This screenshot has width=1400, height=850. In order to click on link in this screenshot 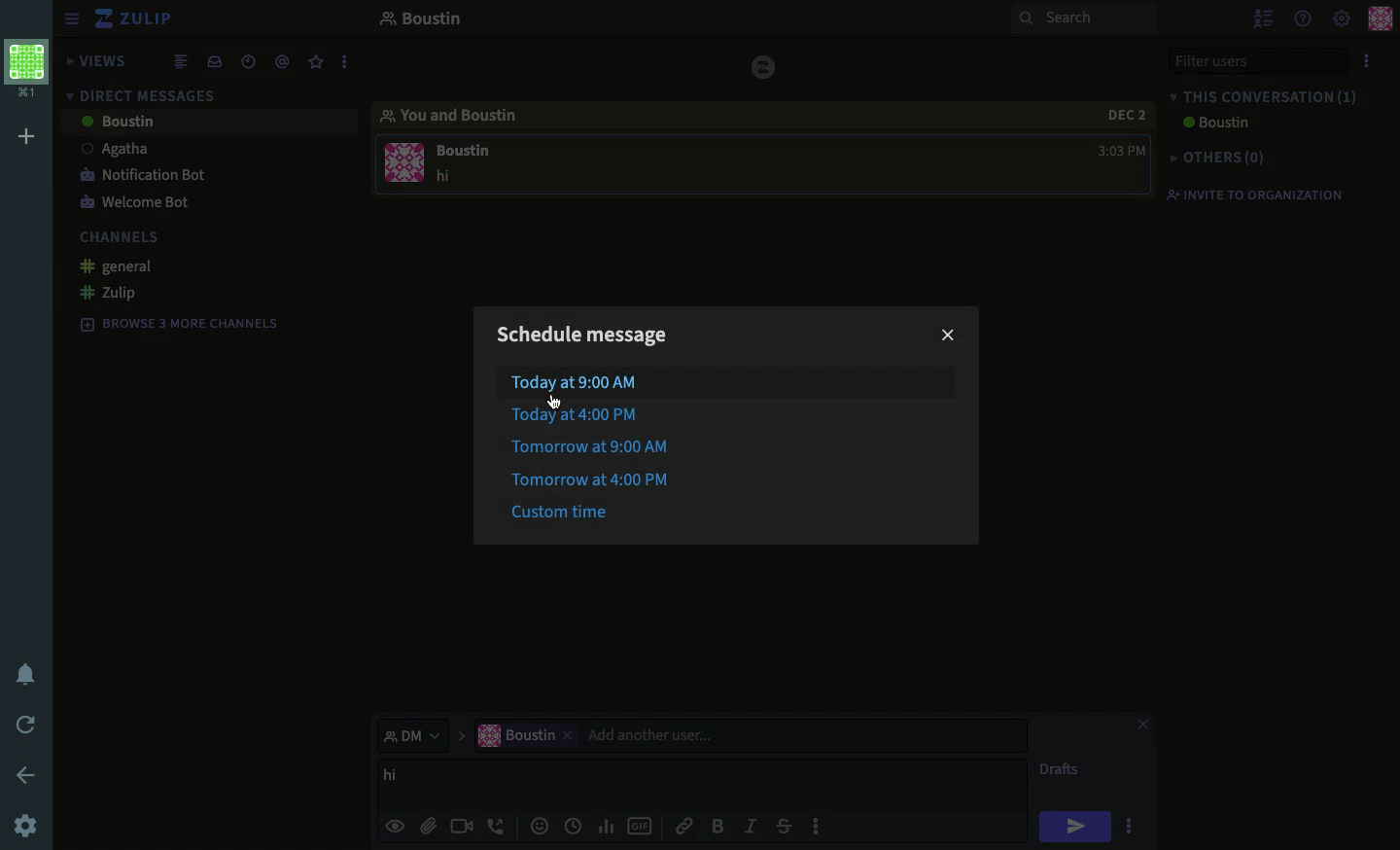, I will do `click(686, 825)`.